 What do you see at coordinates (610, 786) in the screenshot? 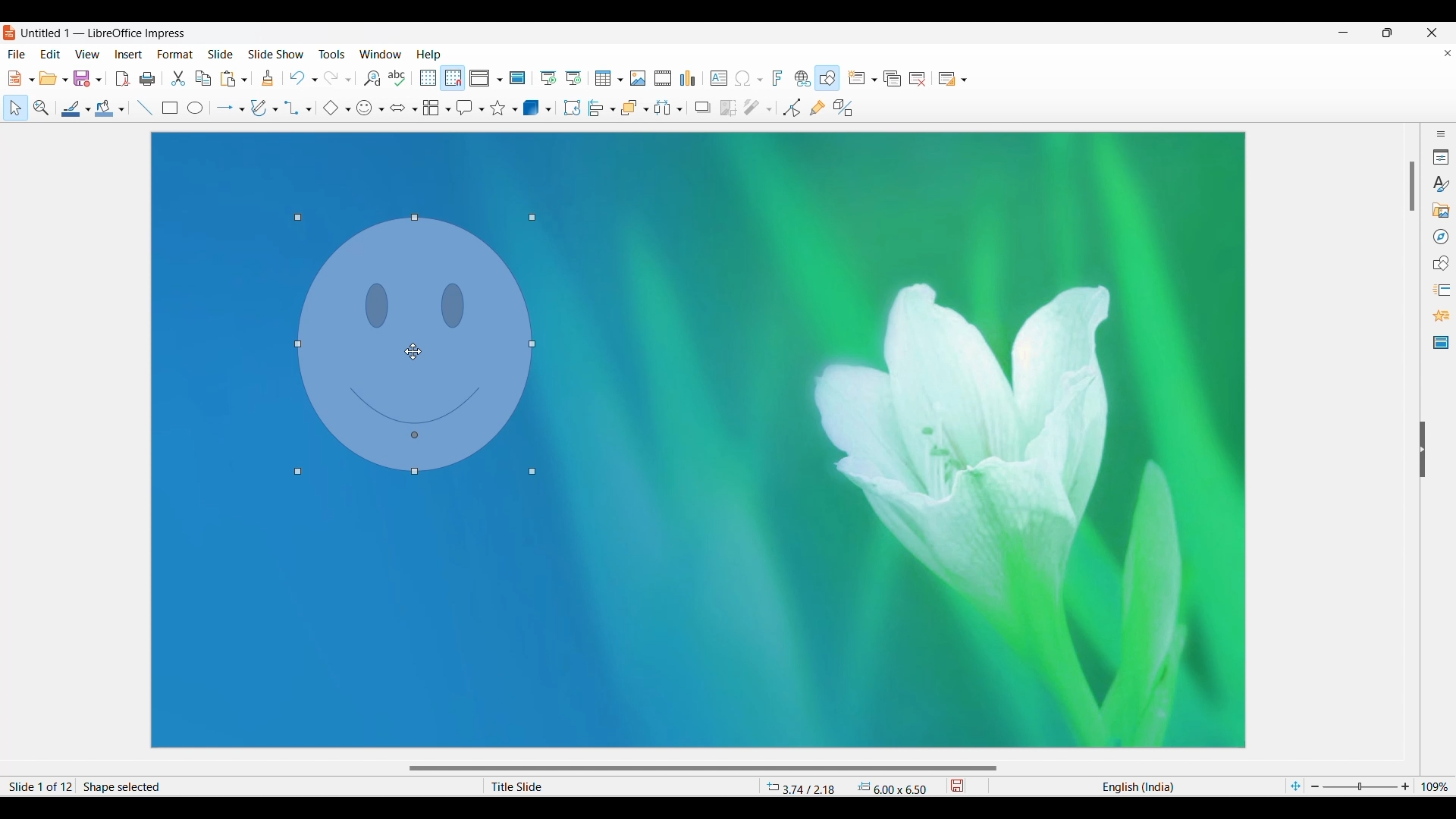
I see `Title Slide` at bounding box center [610, 786].